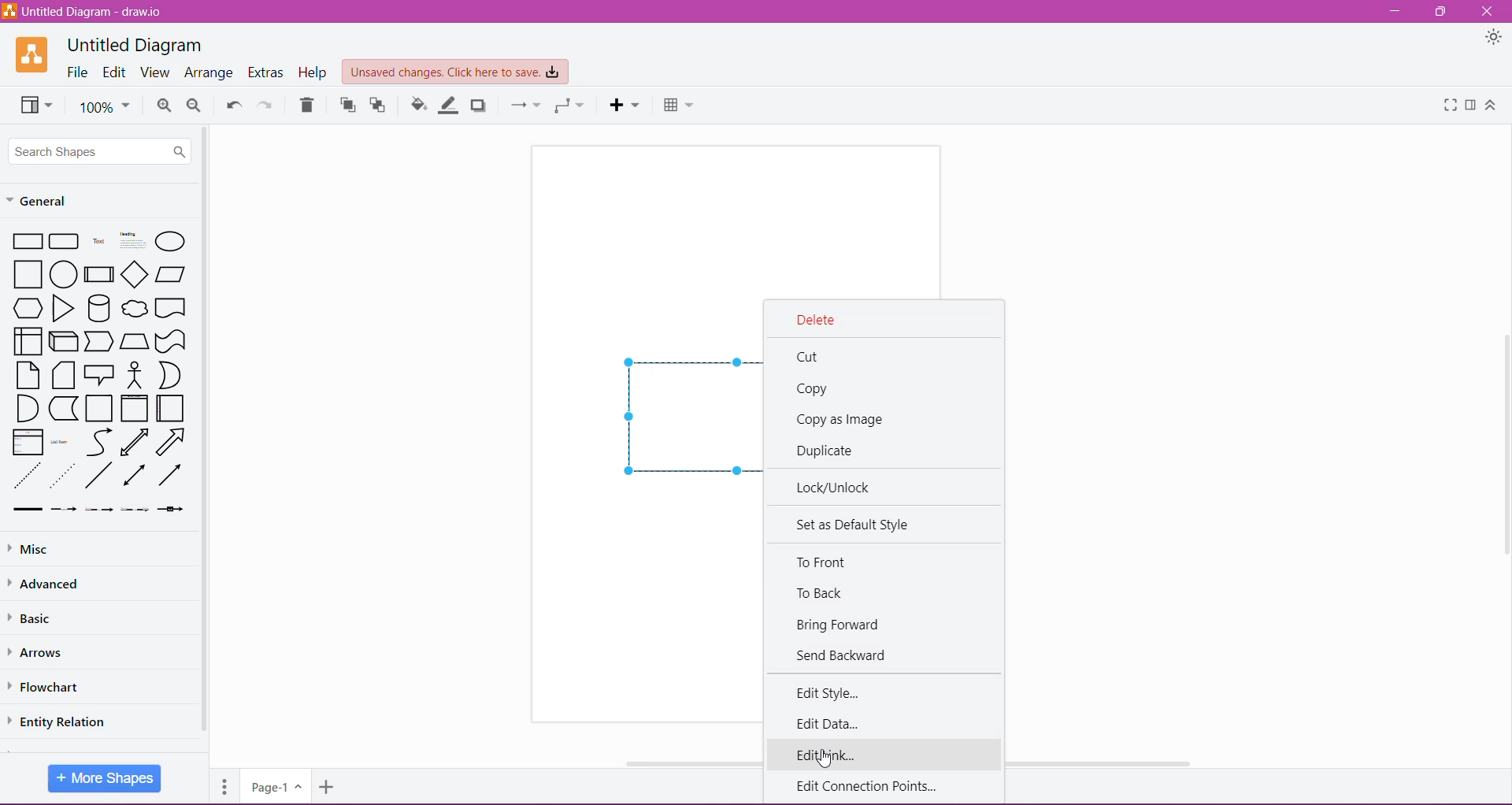 This screenshot has width=1512, height=805. What do you see at coordinates (842, 655) in the screenshot?
I see `Send Backward` at bounding box center [842, 655].